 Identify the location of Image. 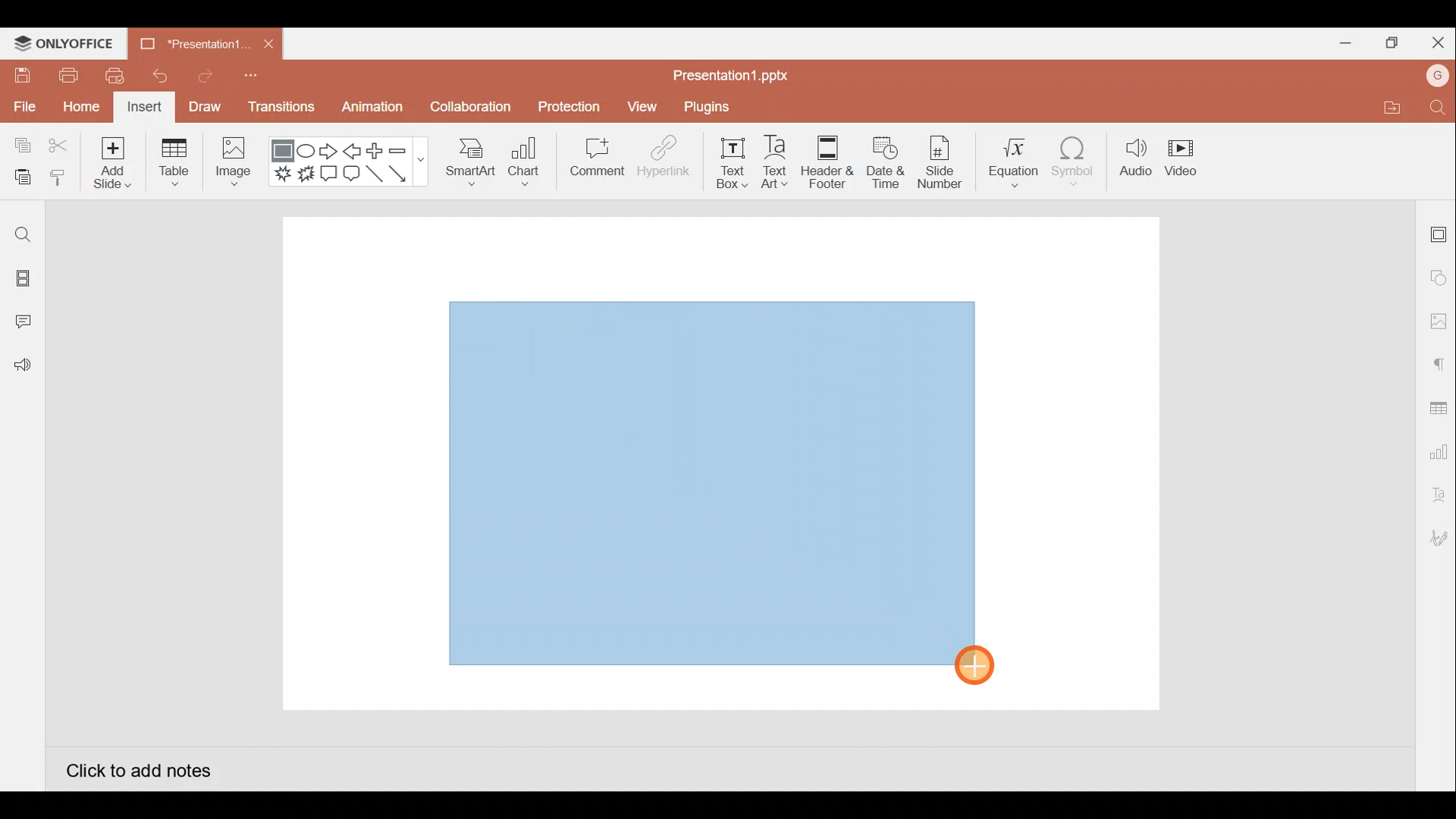
(231, 165).